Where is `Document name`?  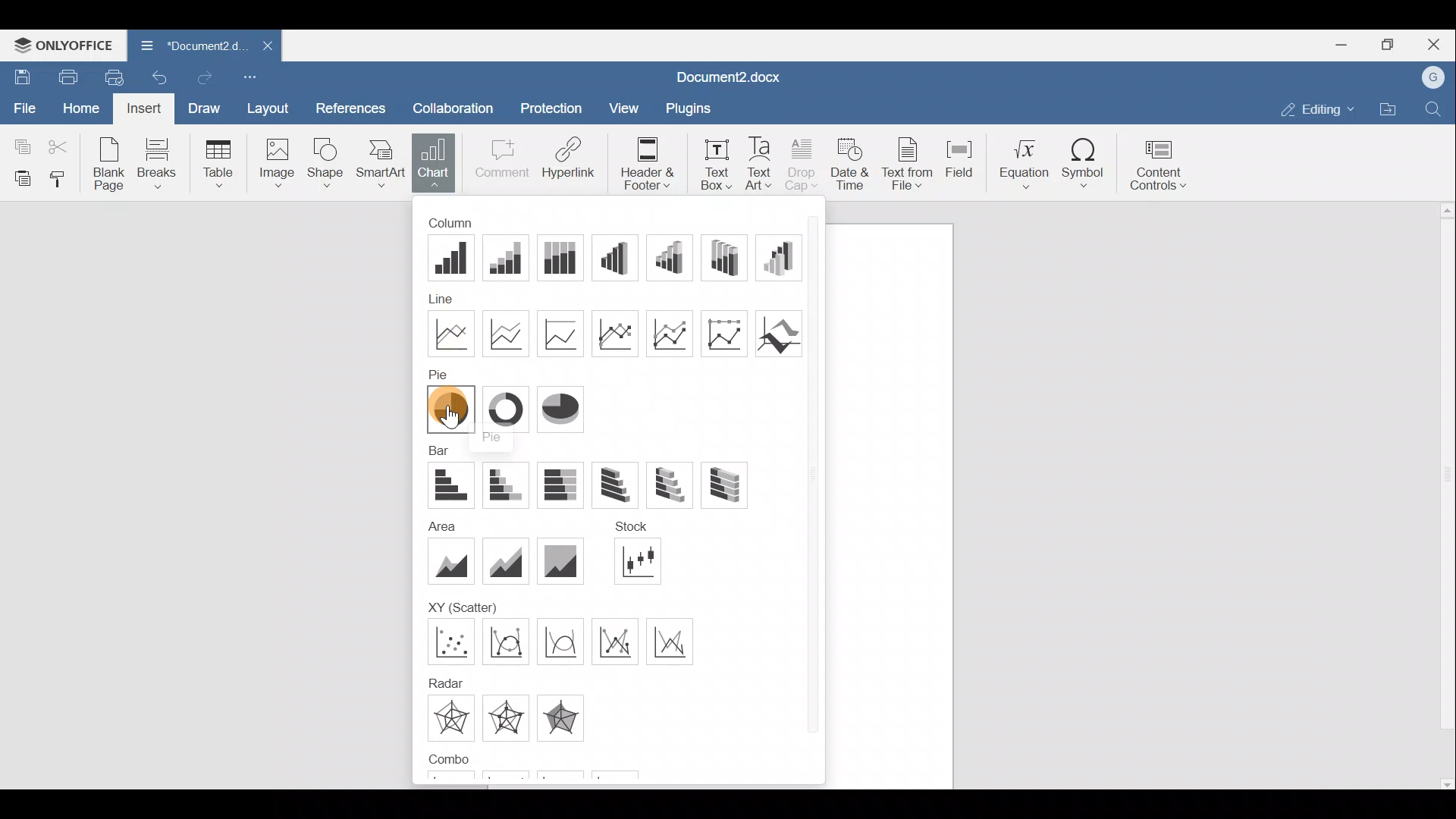 Document name is located at coordinates (187, 45).